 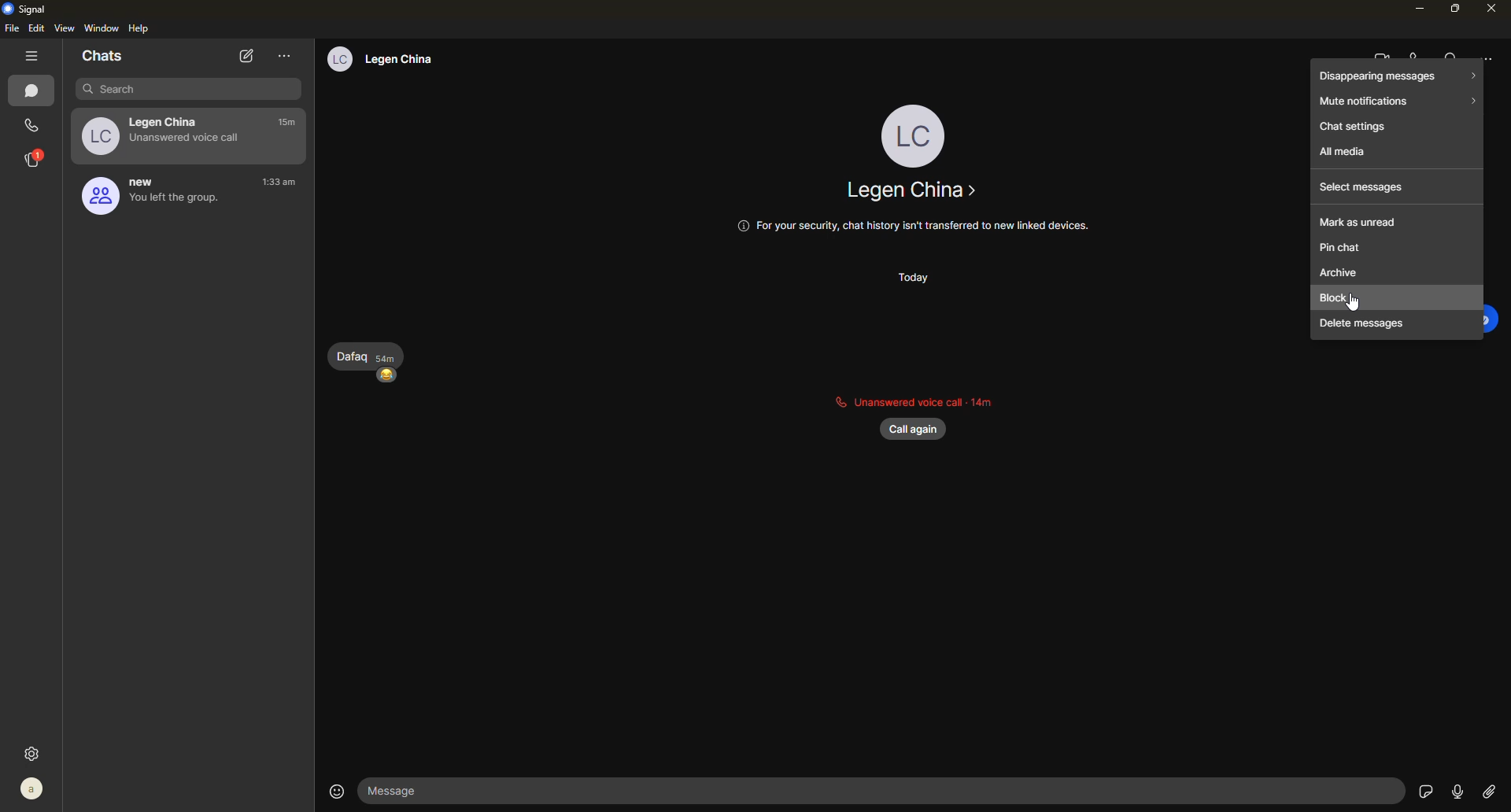 What do you see at coordinates (360, 354) in the screenshot?
I see `Dafaq sam` at bounding box center [360, 354].